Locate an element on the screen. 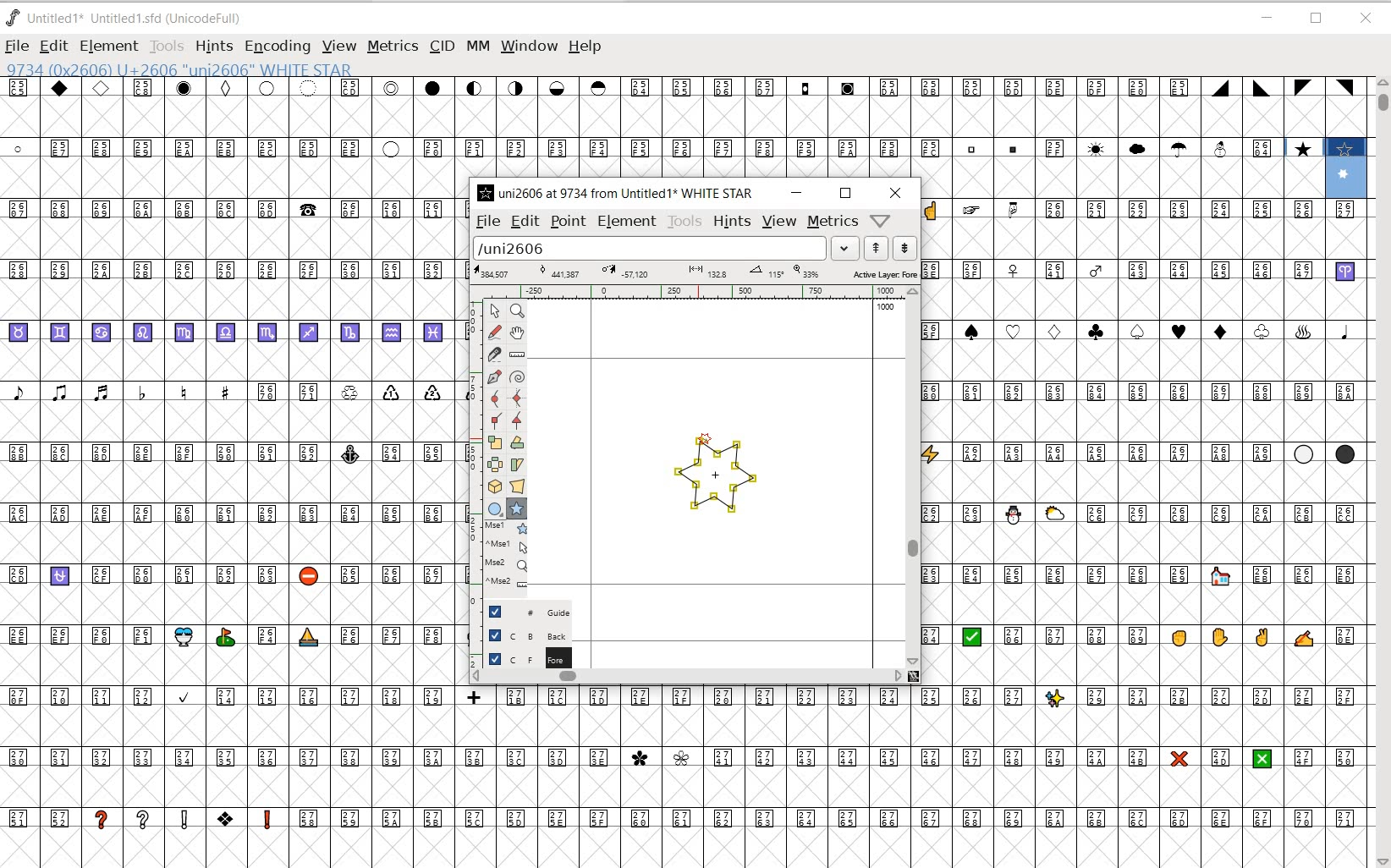 The width and height of the screenshot is (1391, 868). RESTORE is located at coordinates (845, 194).